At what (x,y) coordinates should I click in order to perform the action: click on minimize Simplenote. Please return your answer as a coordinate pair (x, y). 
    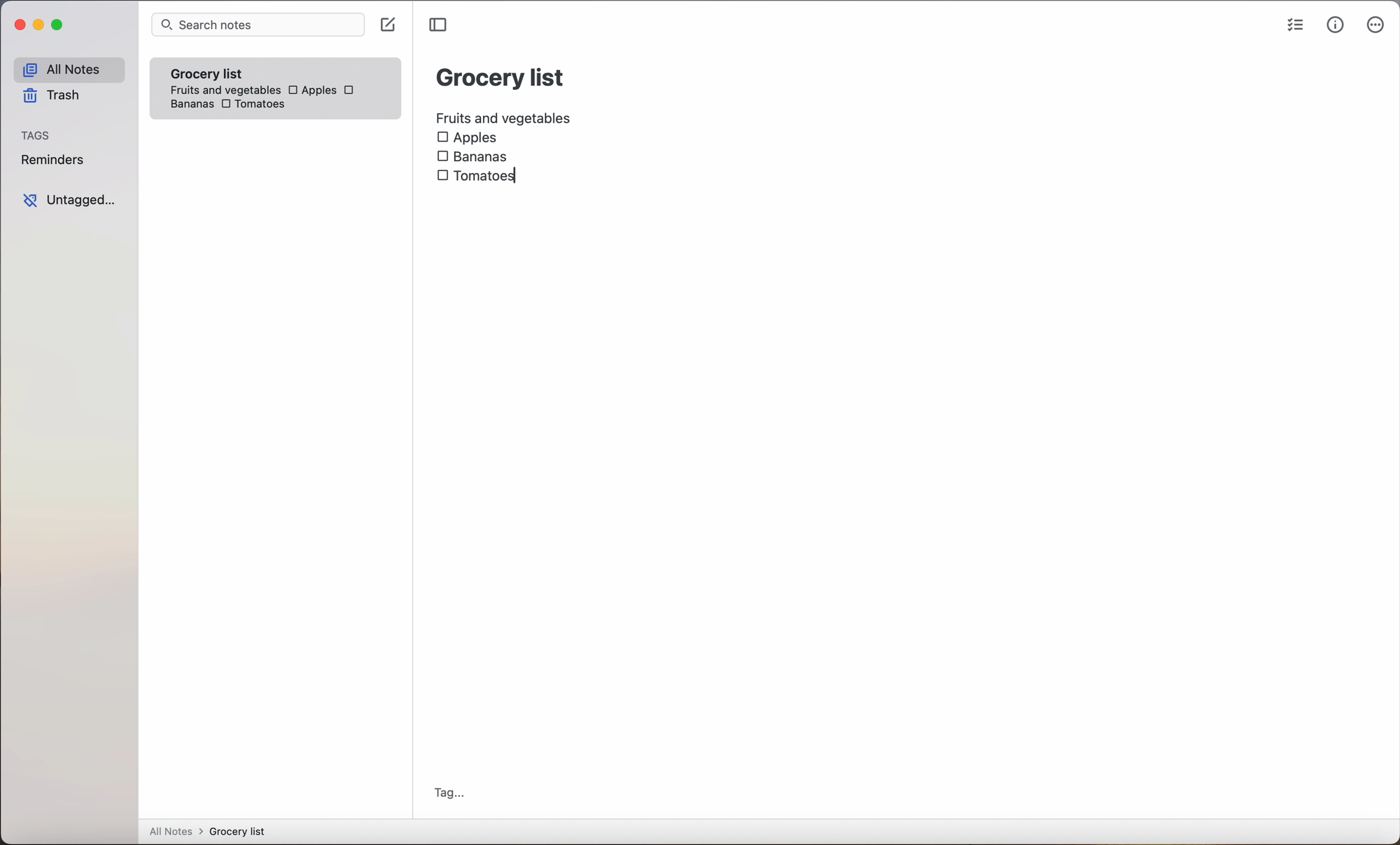
    Looking at the image, I should click on (41, 27).